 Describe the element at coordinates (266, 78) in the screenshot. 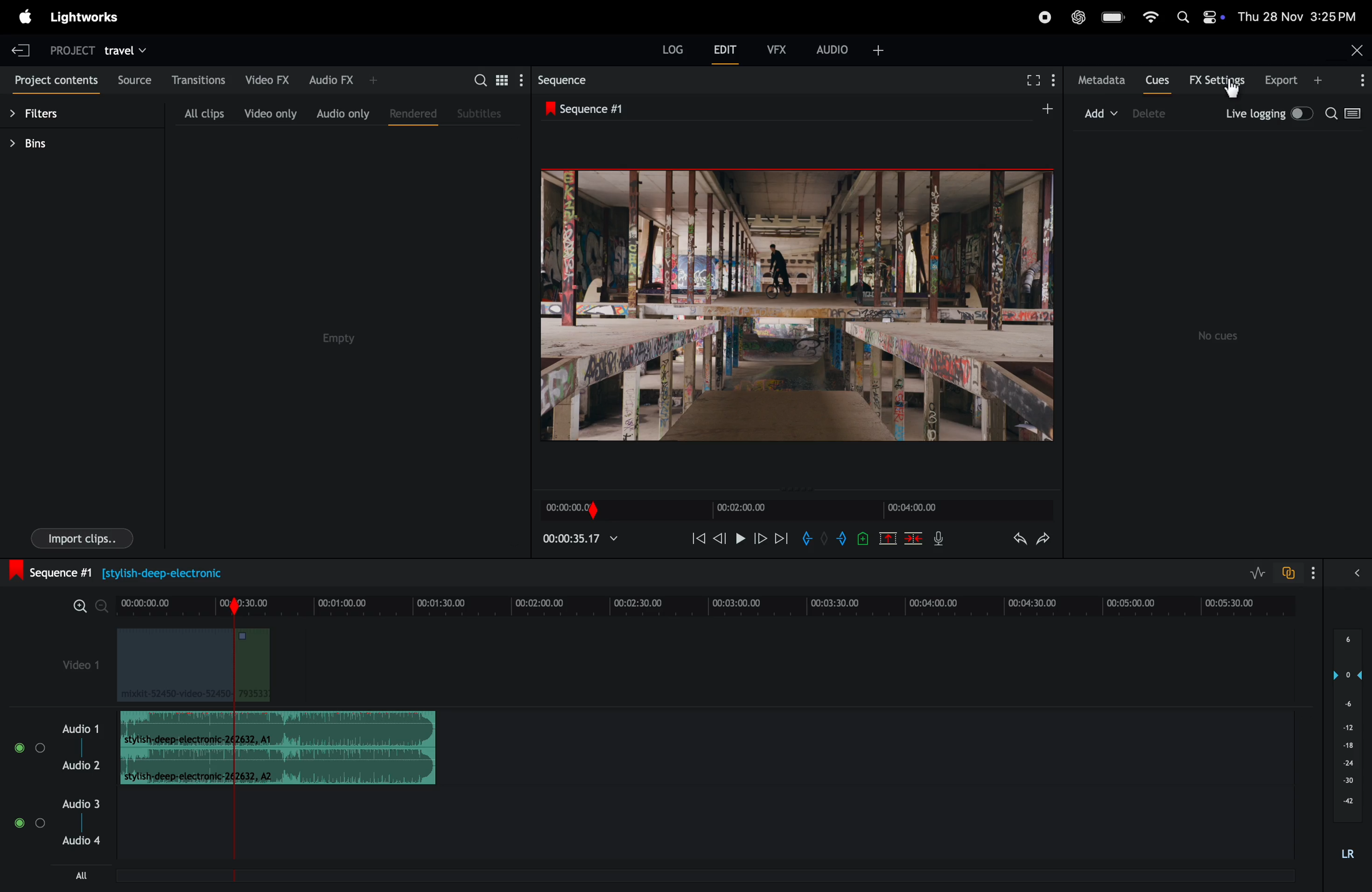

I see `video Fx` at that location.